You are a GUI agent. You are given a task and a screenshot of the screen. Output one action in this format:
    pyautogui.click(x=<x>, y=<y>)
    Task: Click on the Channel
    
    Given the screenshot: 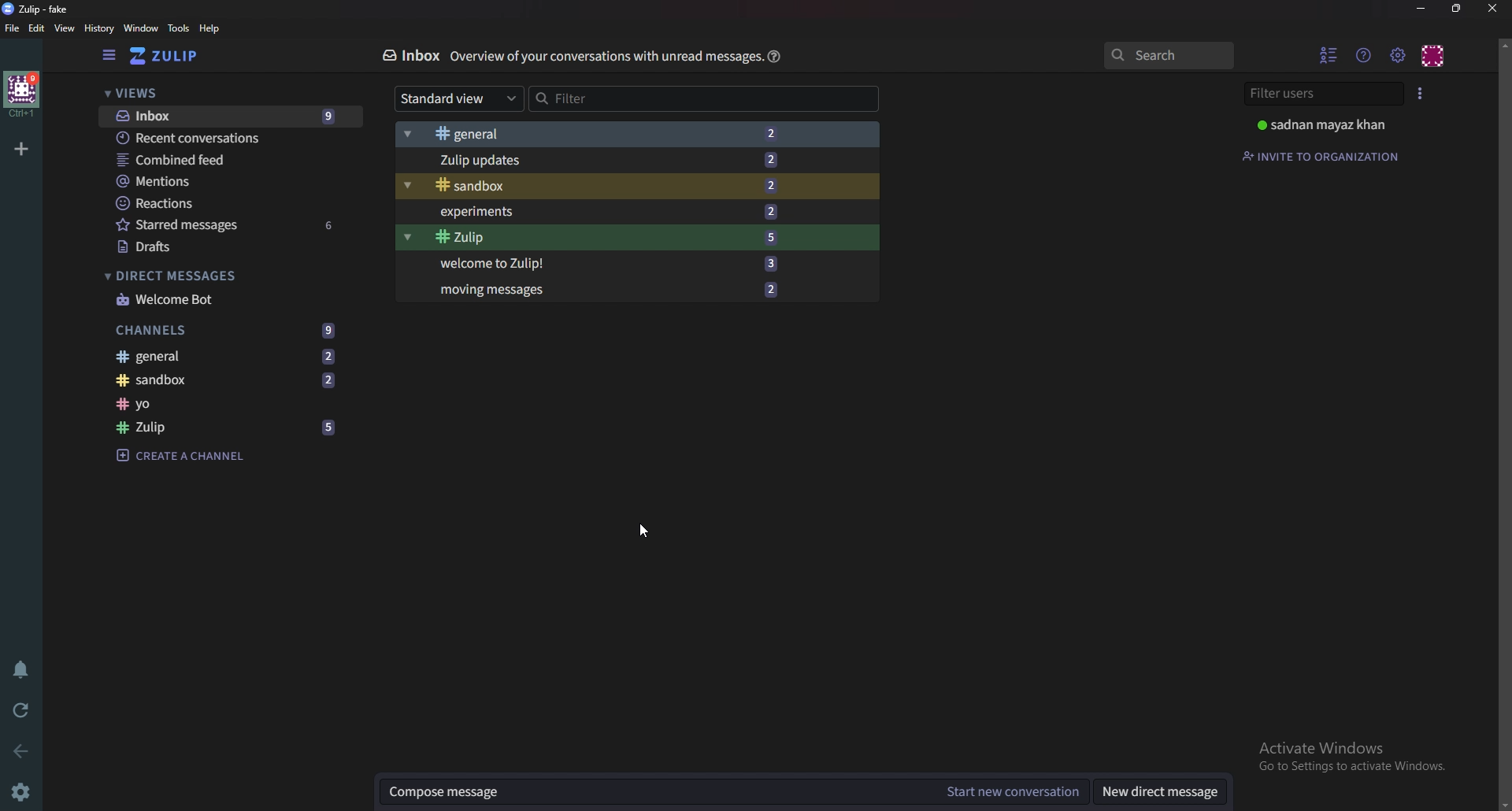 What is the action you would take?
    pyautogui.click(x=217, y=405)
    